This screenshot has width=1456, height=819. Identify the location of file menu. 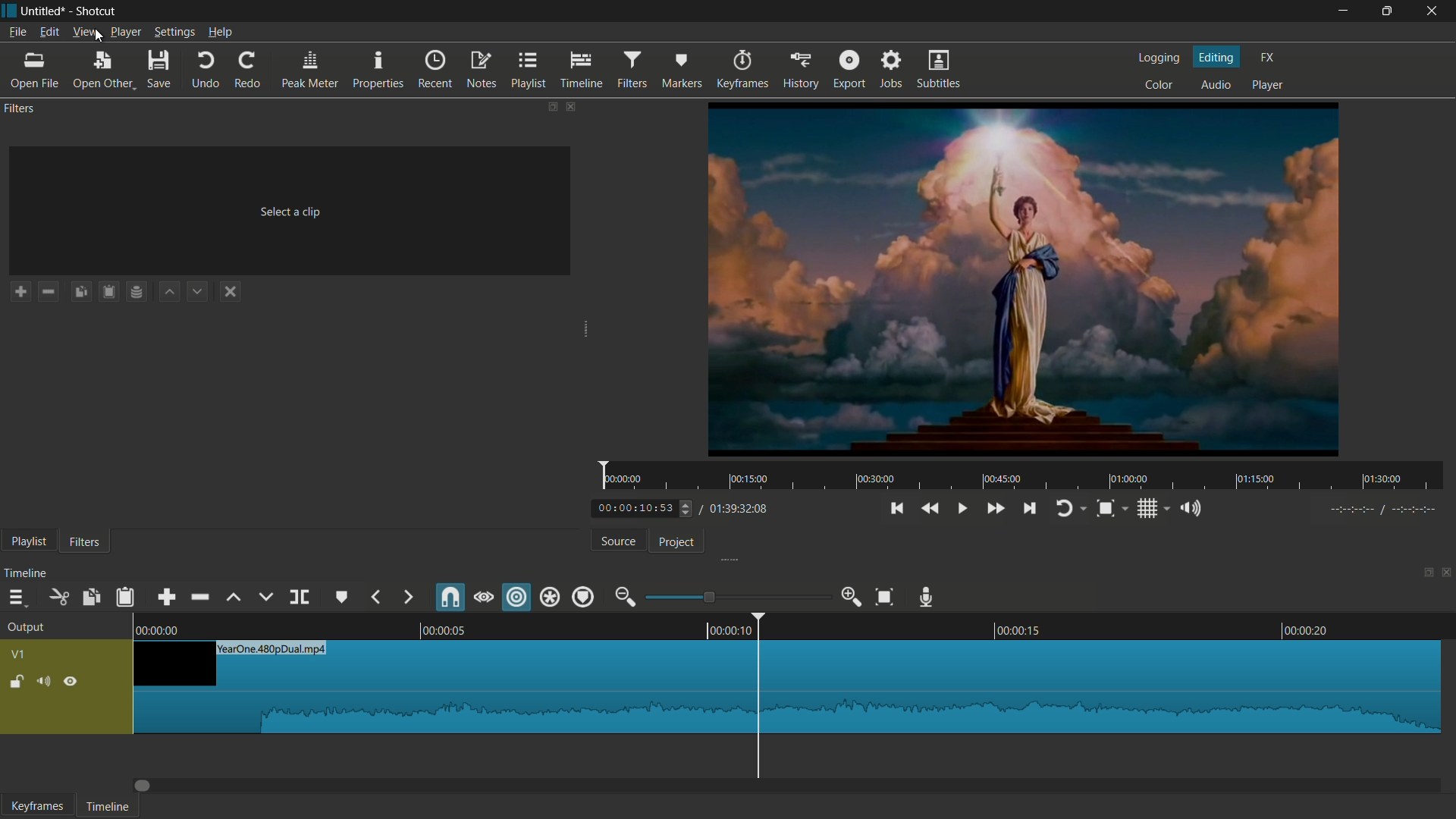
(17, 32).